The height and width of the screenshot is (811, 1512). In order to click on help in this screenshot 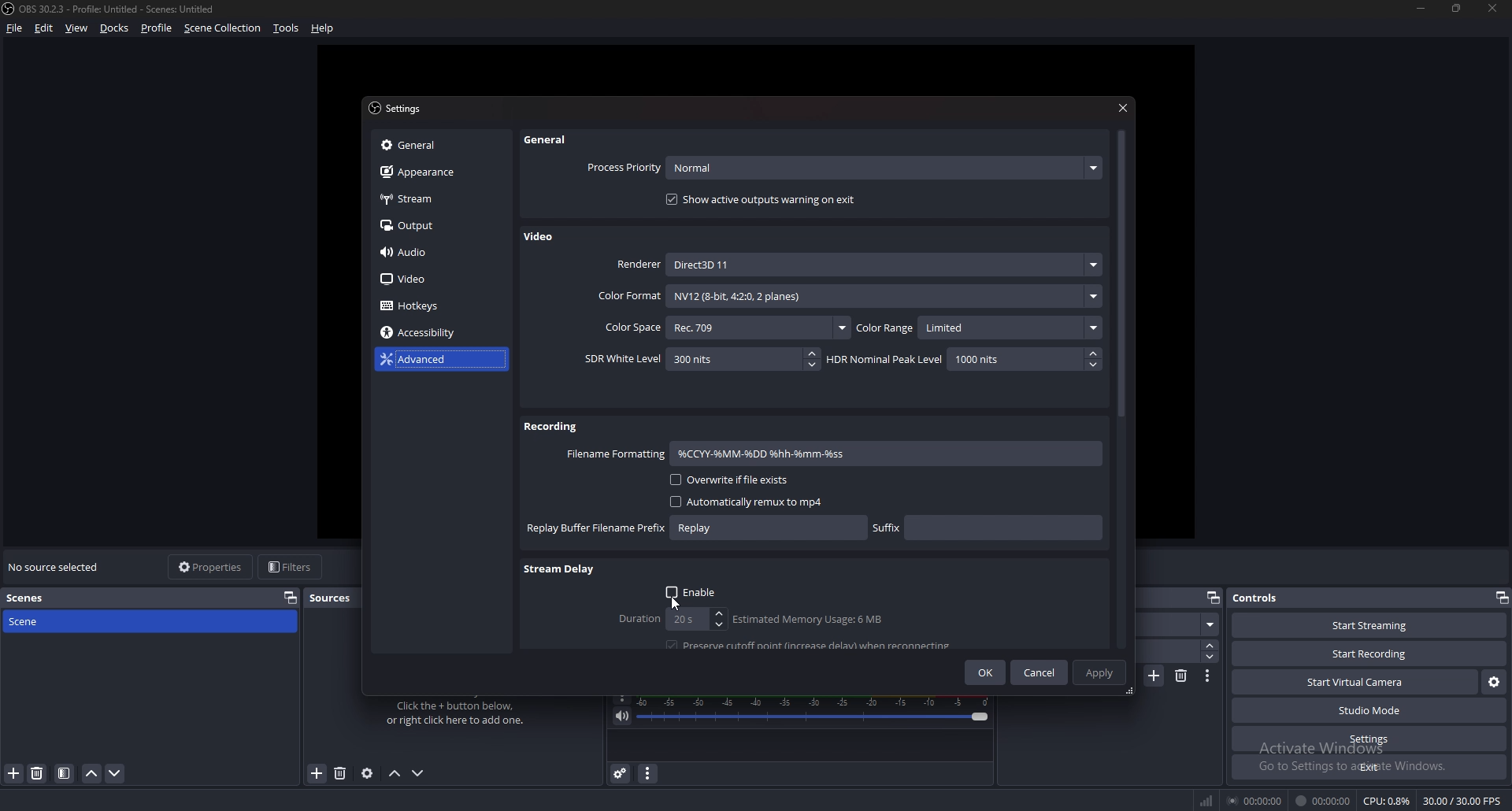, I will do `click(323, 28)`.